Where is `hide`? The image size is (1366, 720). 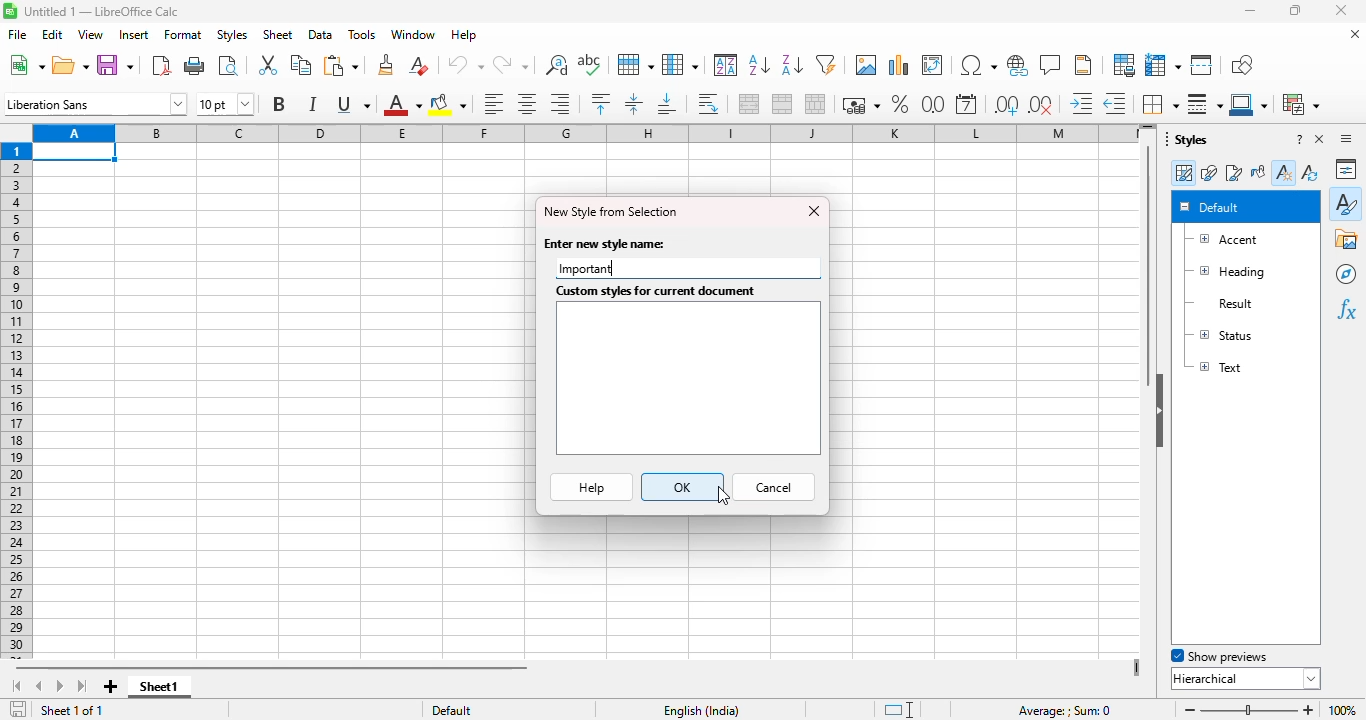 hide is located at coordinates (1159, 411).